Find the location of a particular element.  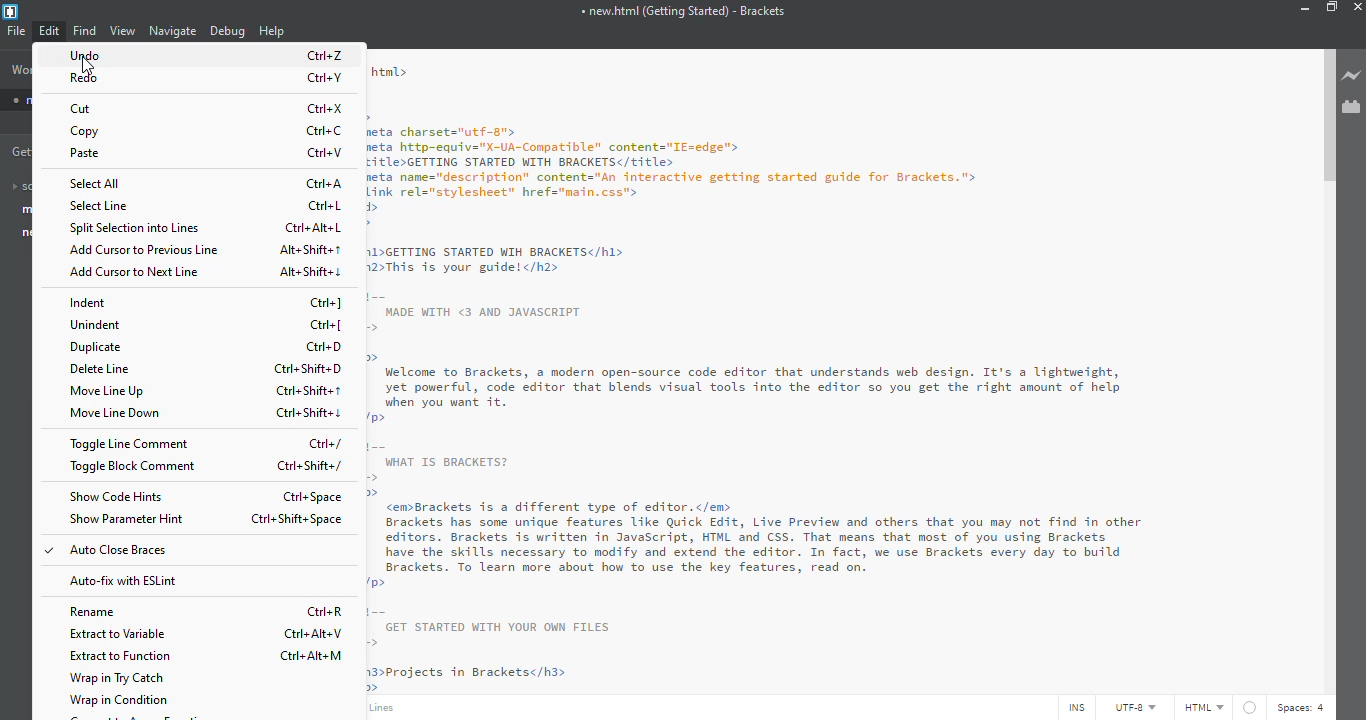

ctrl+alt+l is located at coordinates (312, 229).